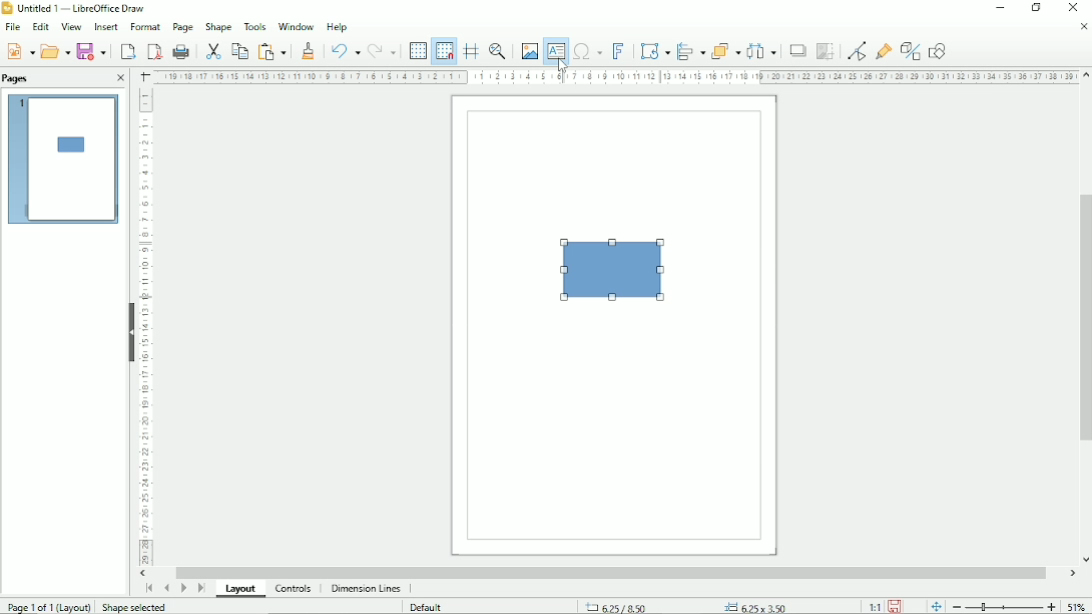 This screenshot has width=1092, height=614. What do you see at coordinates (254, 26) in the screenshot?
I see `Tools` at bounding box center [254, 26].